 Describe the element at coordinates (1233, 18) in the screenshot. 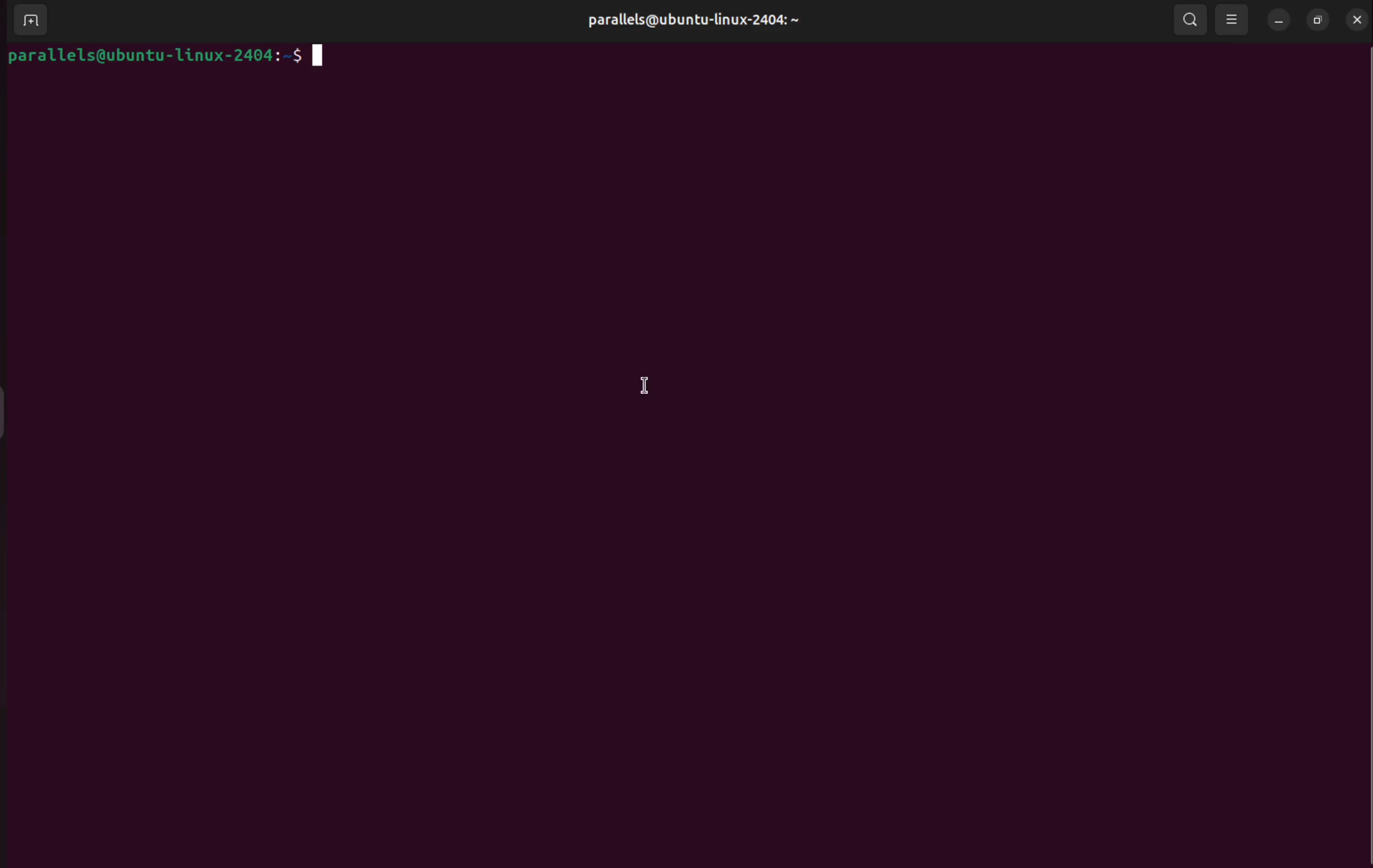

I see `resize` at that location.